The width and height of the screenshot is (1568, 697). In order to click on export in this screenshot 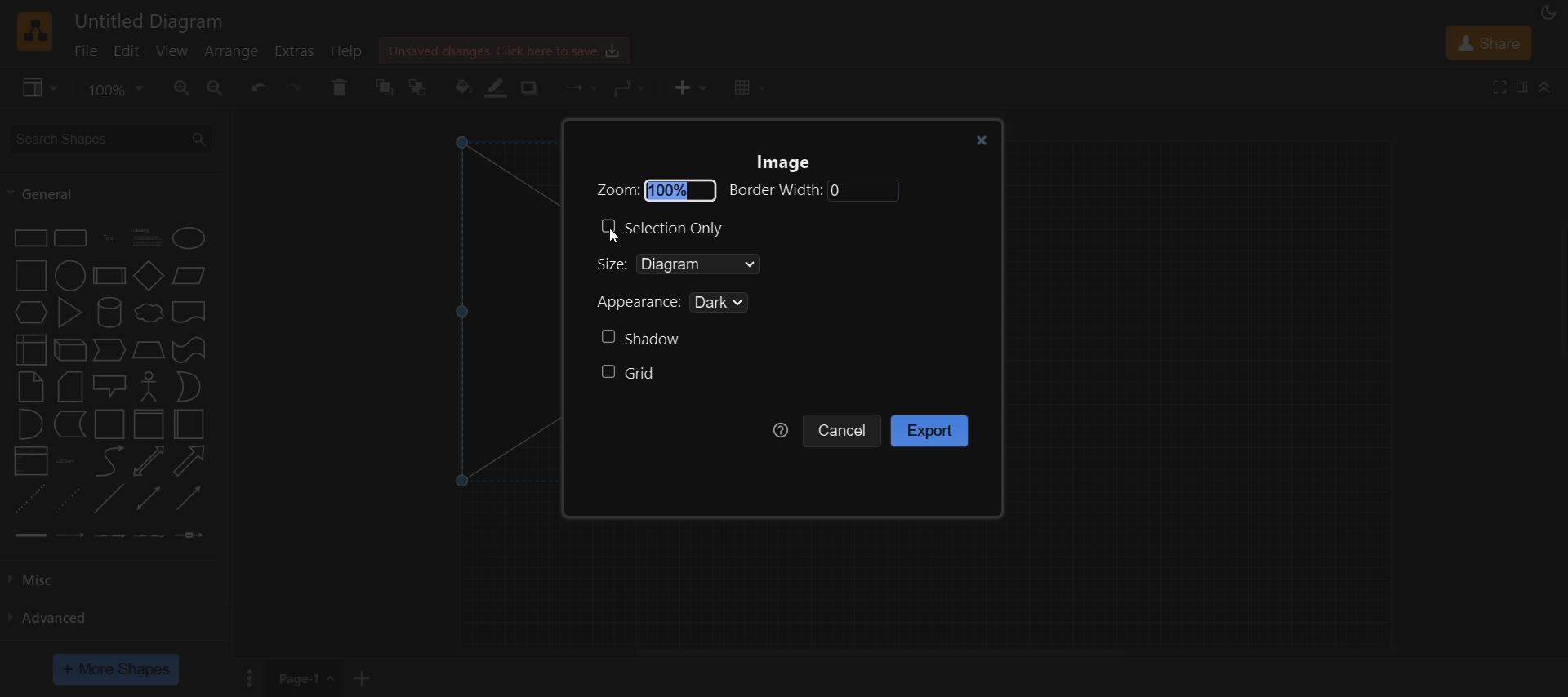, I will do `click(932, 431)`.